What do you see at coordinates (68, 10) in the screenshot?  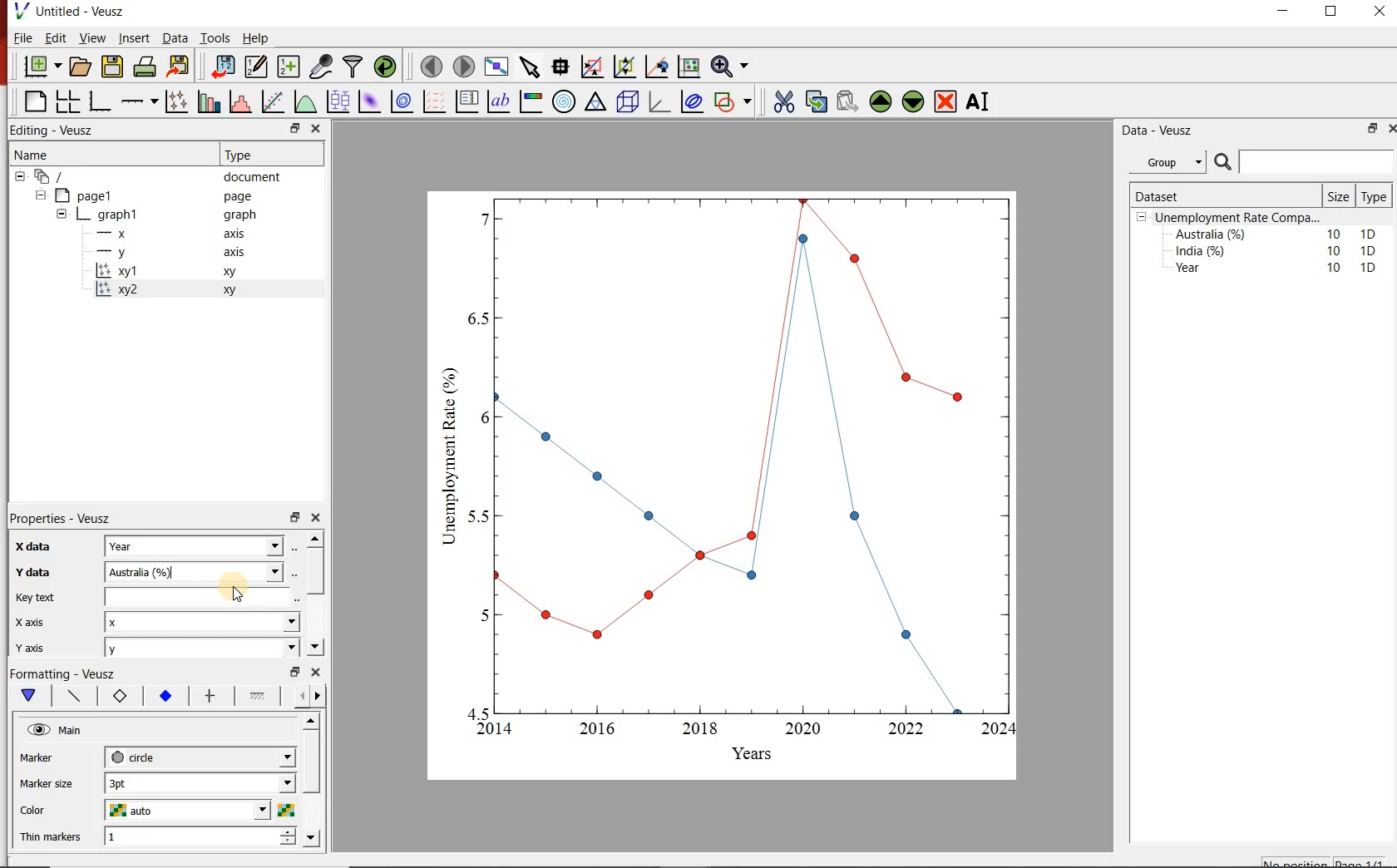 I see `Untitled - Veusz` at bounding box center [68, 10].